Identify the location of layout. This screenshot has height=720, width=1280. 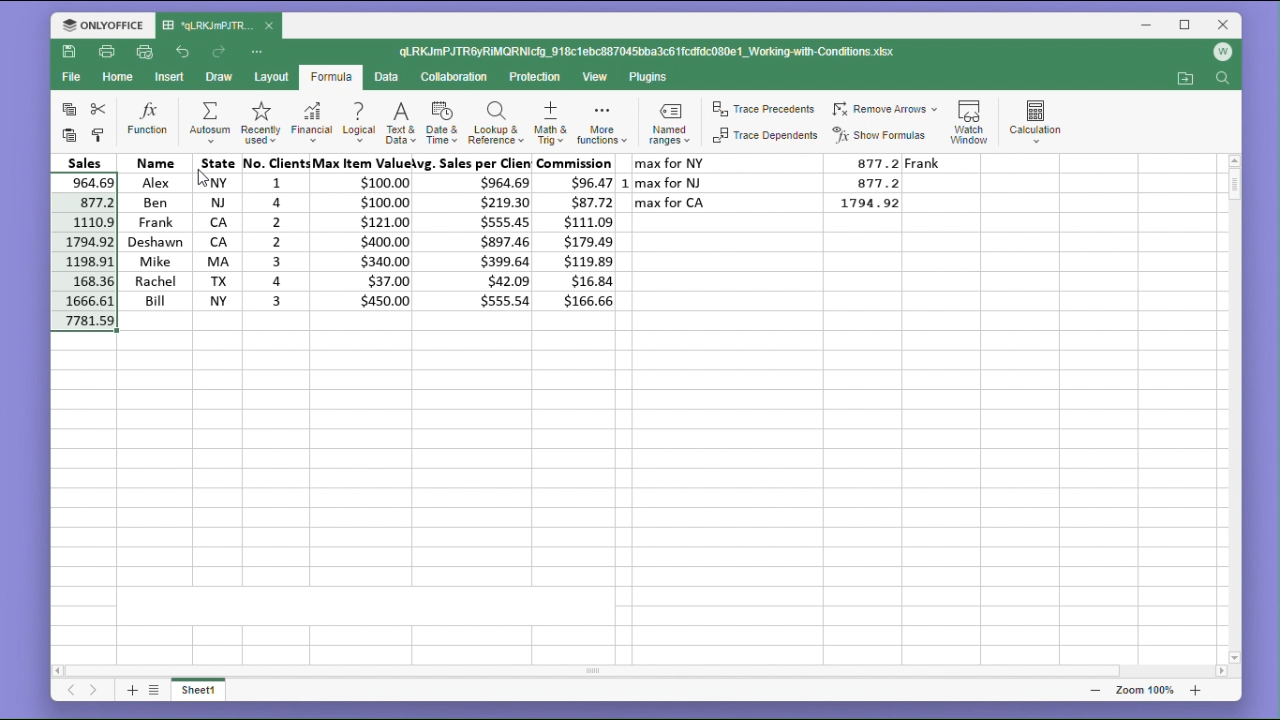
(270, 78).